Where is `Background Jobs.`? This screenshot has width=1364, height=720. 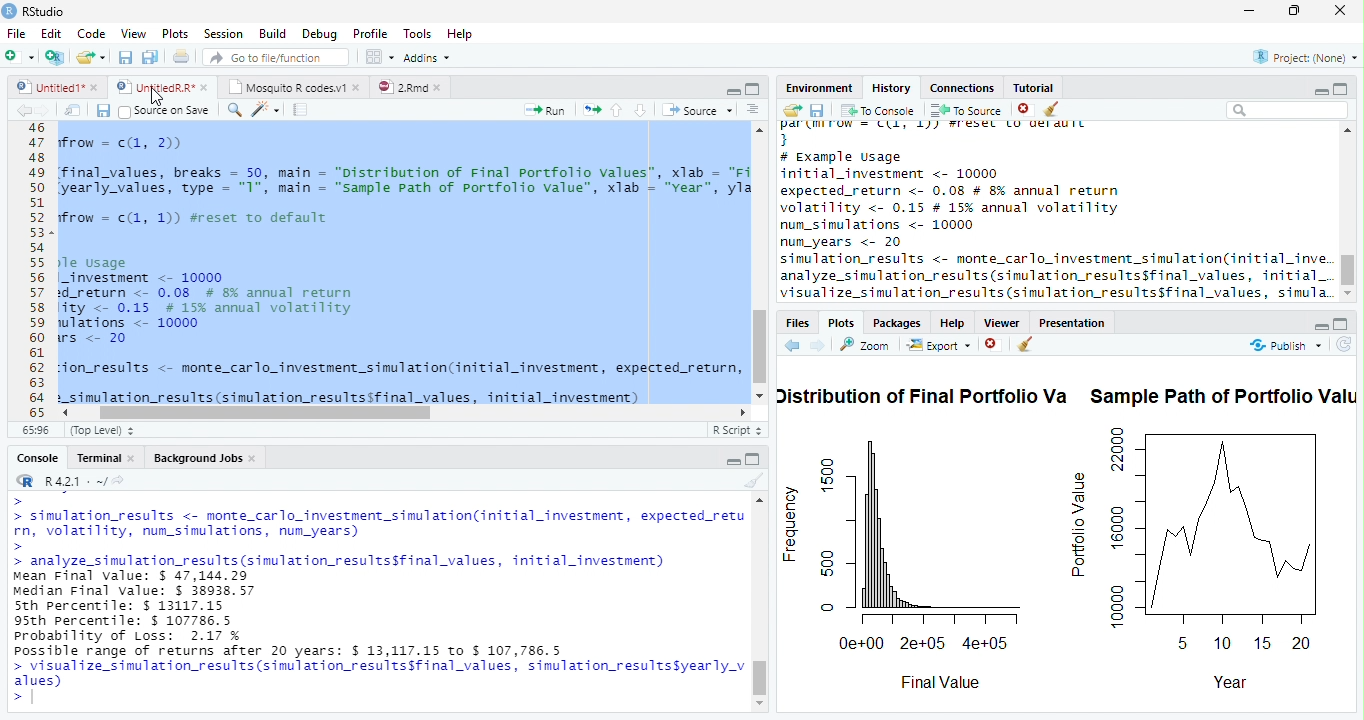 Background Jobs. is located at coordinates (206, 457).